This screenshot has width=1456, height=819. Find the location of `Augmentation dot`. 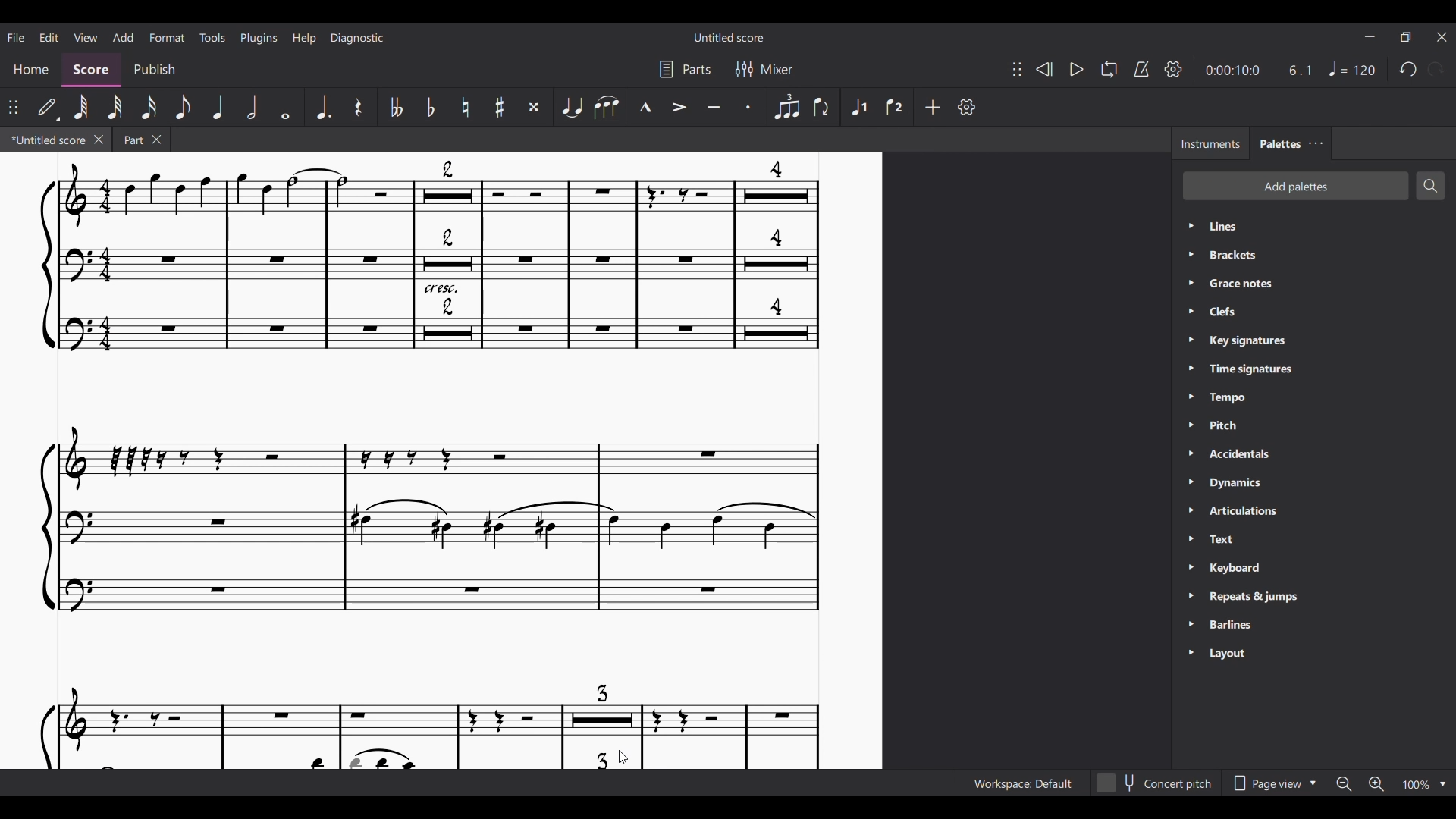

Augmentation dot is located at coordinates (323, 107).